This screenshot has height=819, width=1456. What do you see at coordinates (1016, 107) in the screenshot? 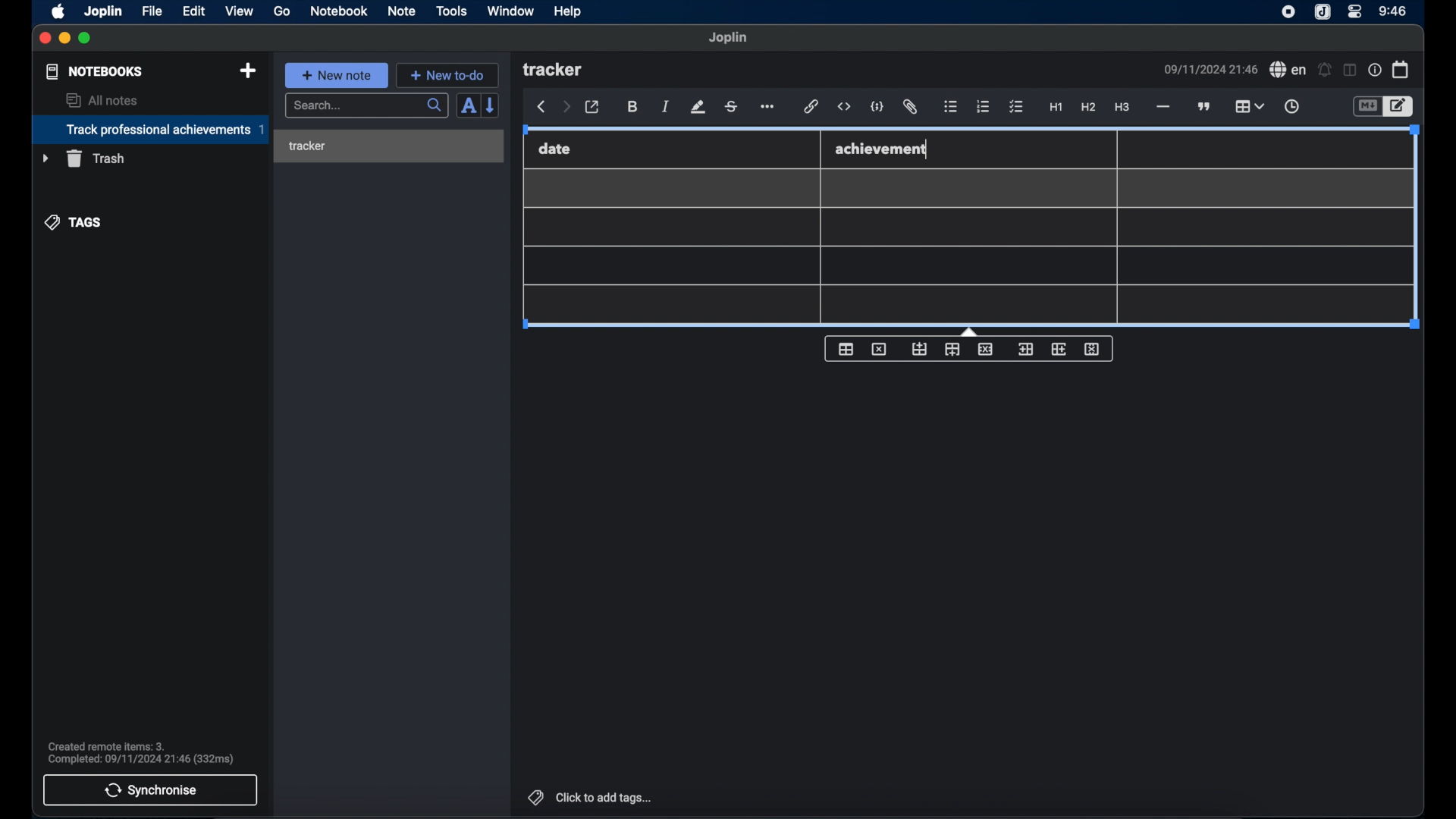
I see `checklist` at bounding box center [1016, 107].